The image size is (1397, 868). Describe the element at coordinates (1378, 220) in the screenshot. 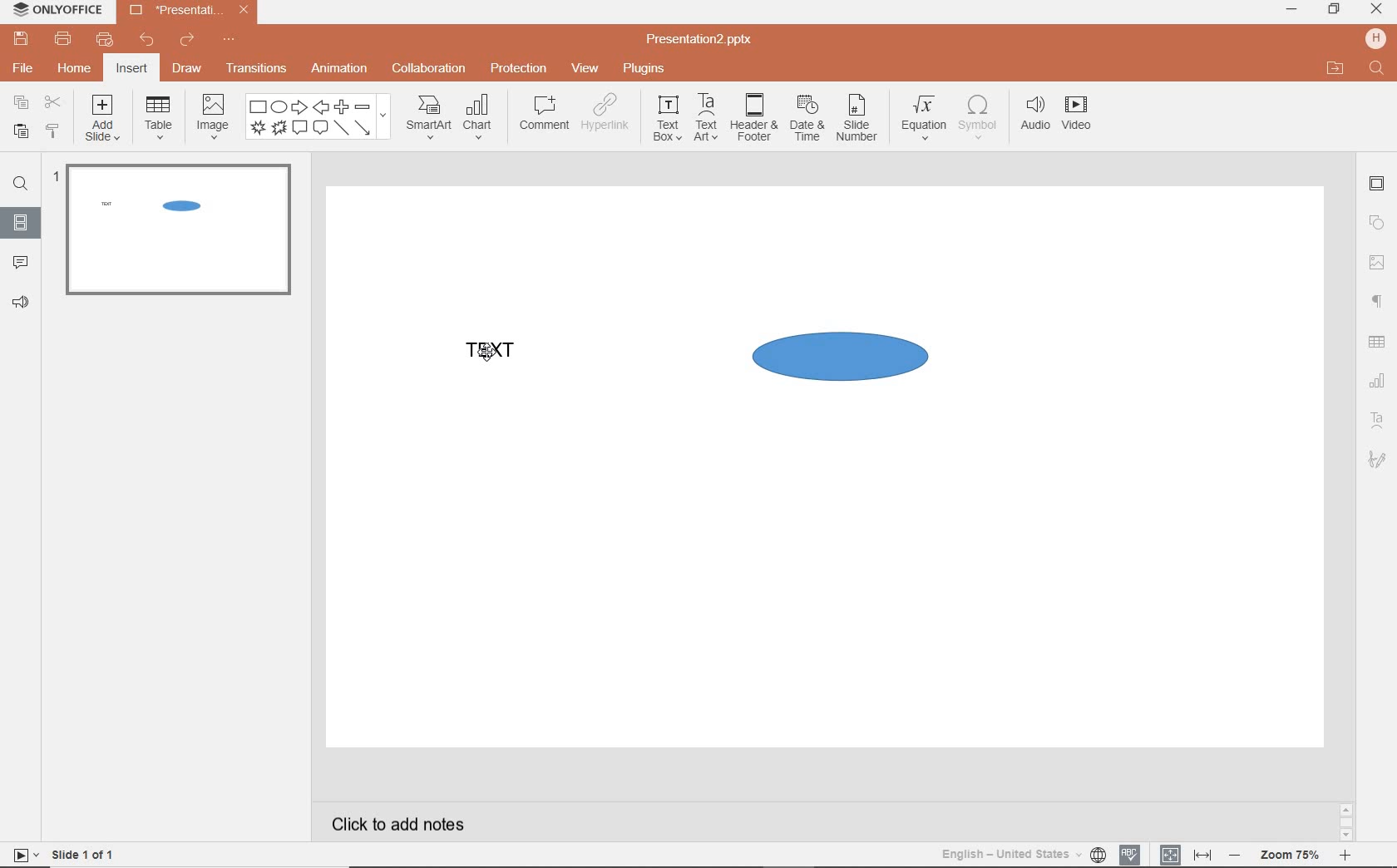

I see `SHAPE SETTINGS` at that location.